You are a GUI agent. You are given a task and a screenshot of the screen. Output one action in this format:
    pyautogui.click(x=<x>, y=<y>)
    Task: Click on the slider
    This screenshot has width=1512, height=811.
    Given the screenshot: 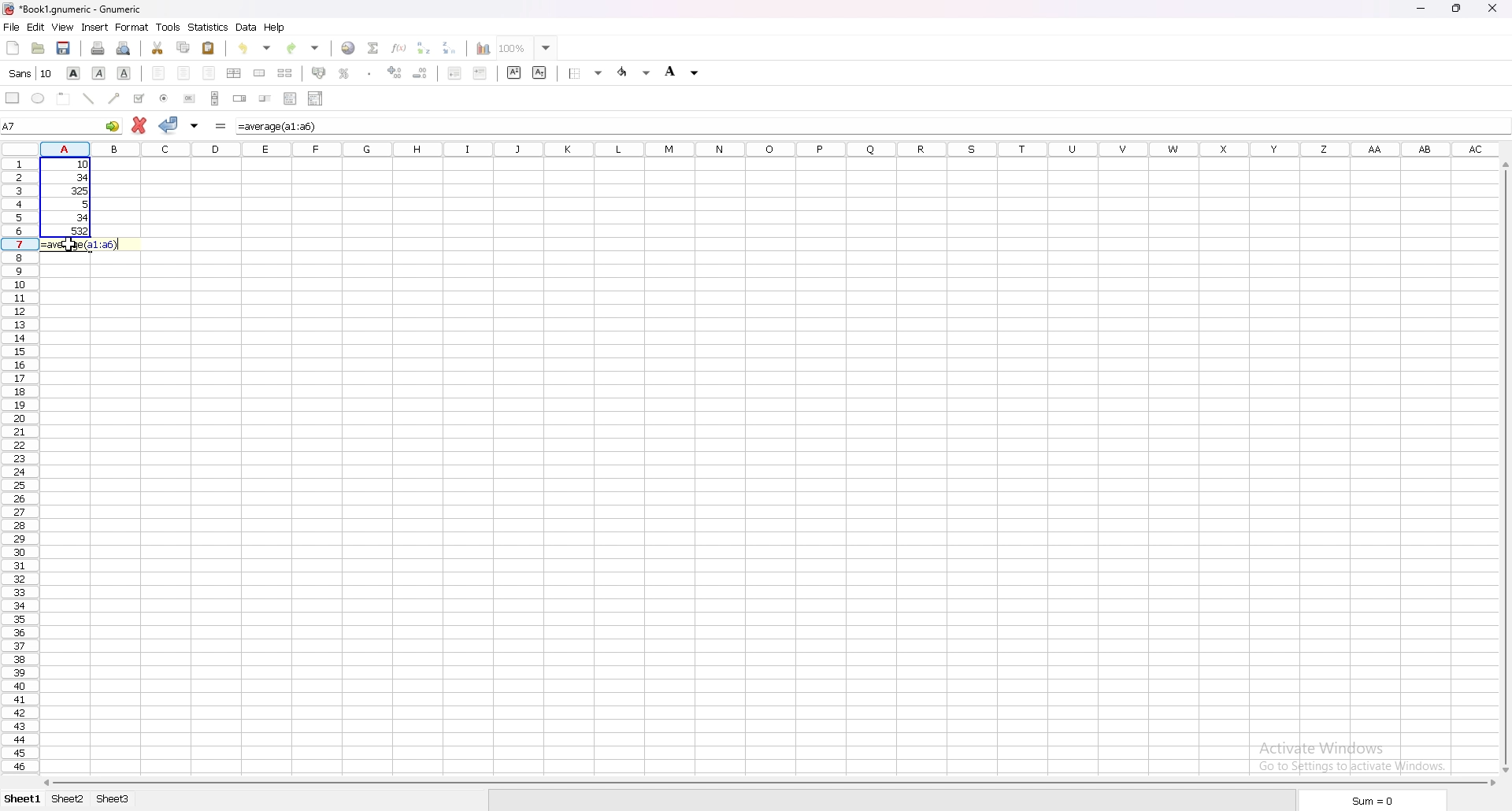 What is the action you would take?
    pyautogui.click(x=265, y=98)
    